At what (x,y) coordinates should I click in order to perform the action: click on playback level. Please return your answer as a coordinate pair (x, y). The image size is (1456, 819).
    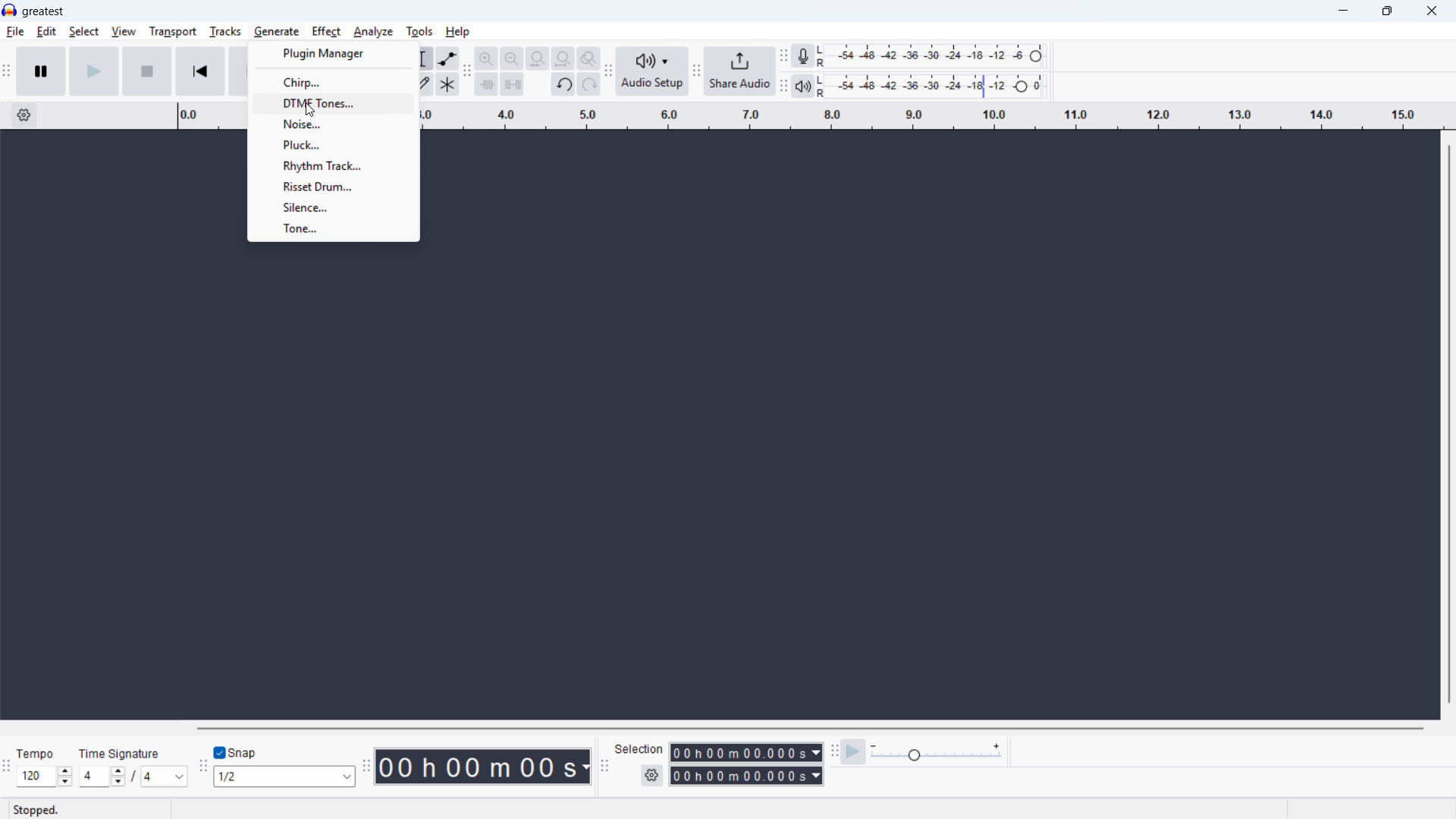
    Looking at the image, I should click on (935, 86).